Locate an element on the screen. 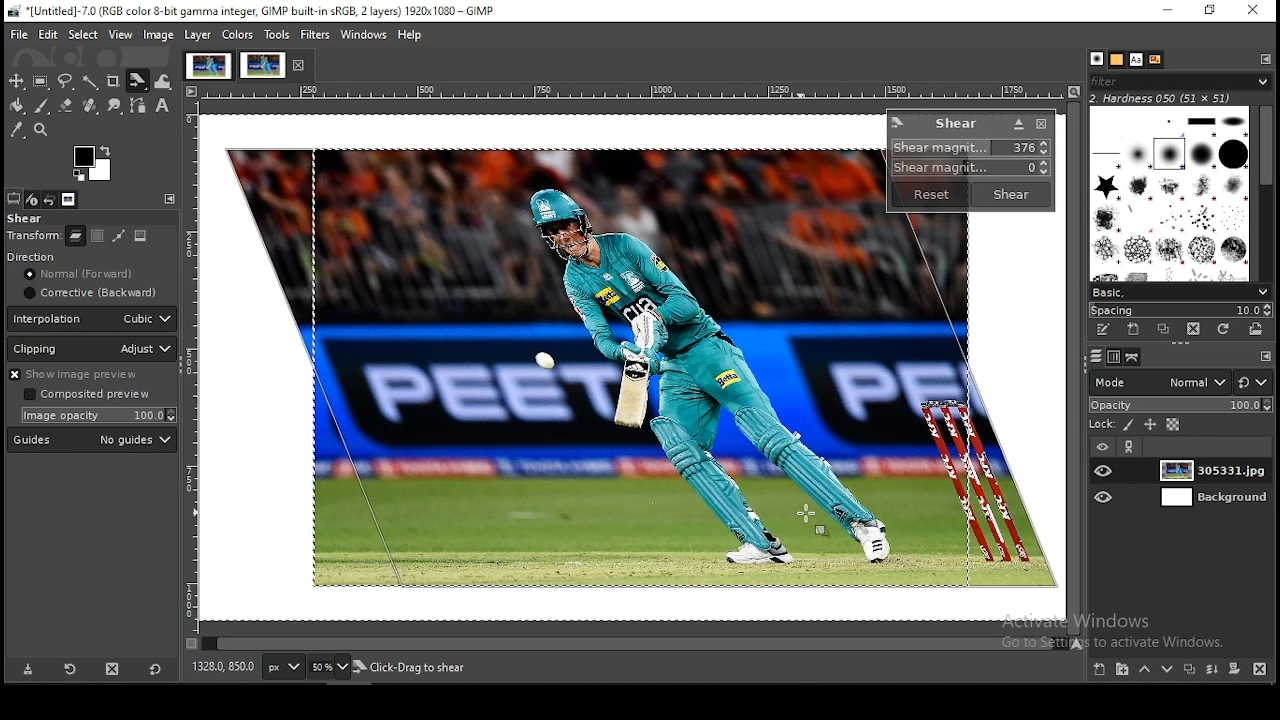  restore tool preset is located at coordinates (69, 669).